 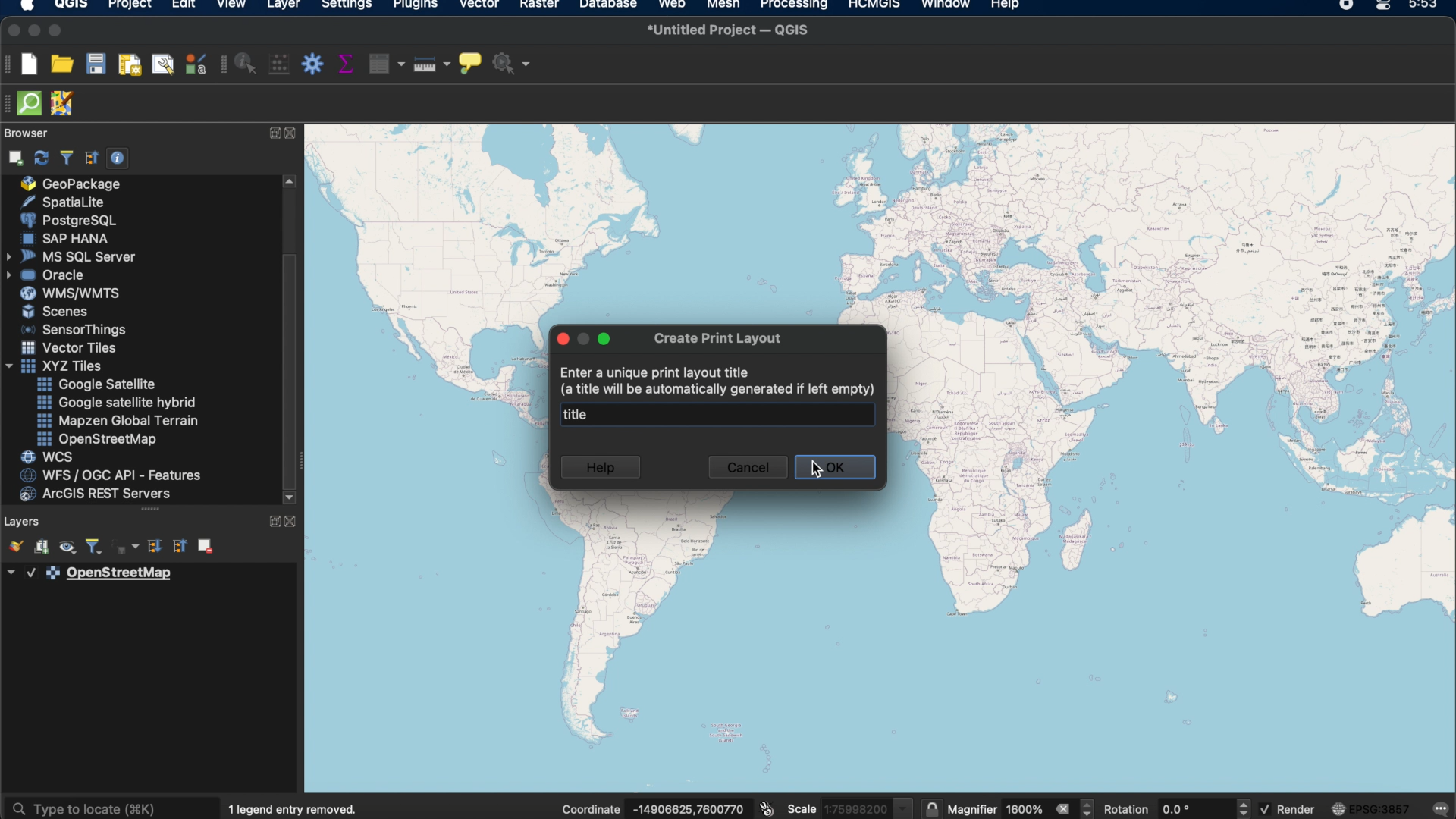 I want to click on Enter a unique print layout title, so click(x=716, y=380).